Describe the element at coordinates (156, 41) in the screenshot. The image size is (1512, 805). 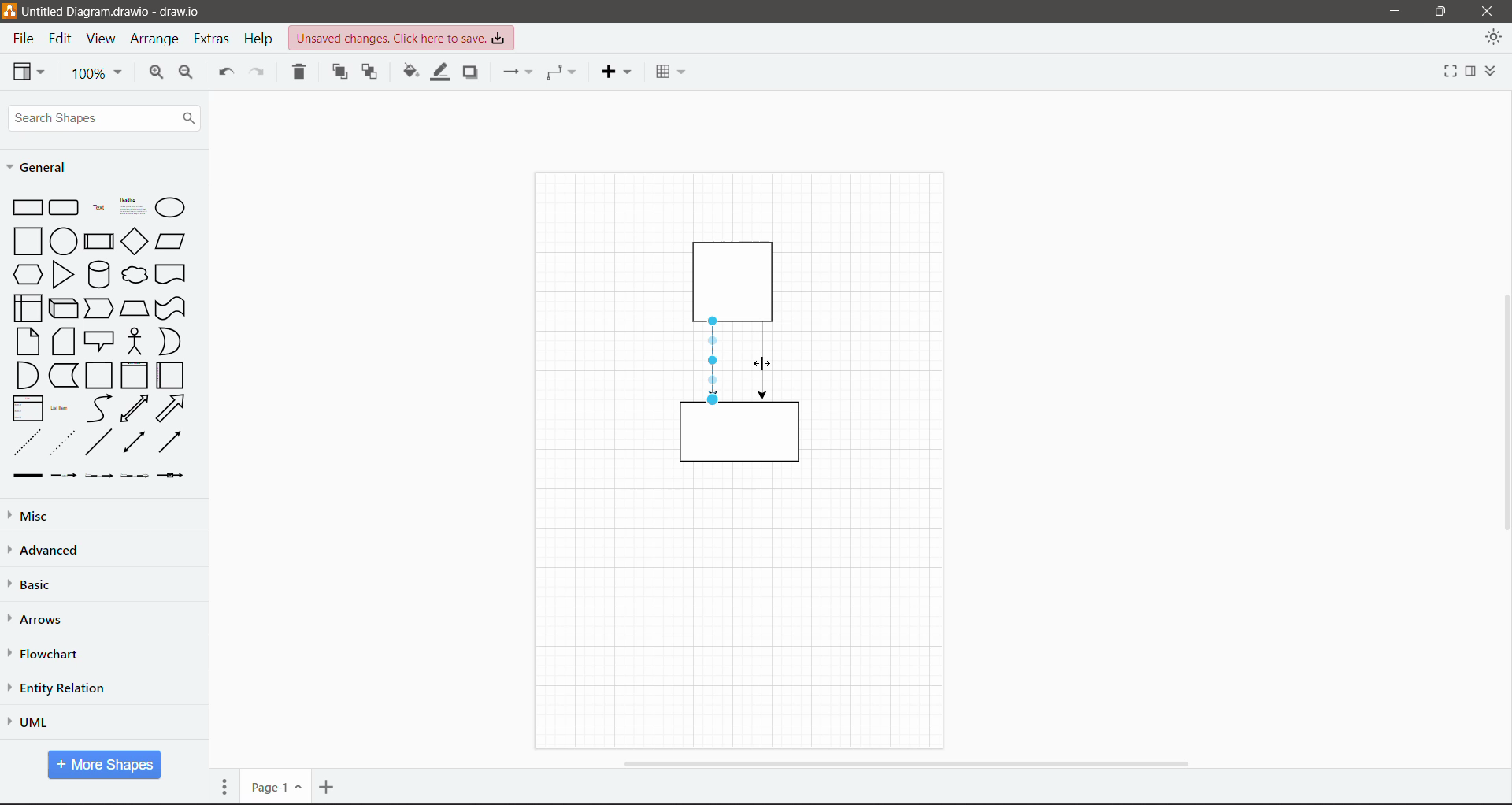
I see `Arrange` at that location.